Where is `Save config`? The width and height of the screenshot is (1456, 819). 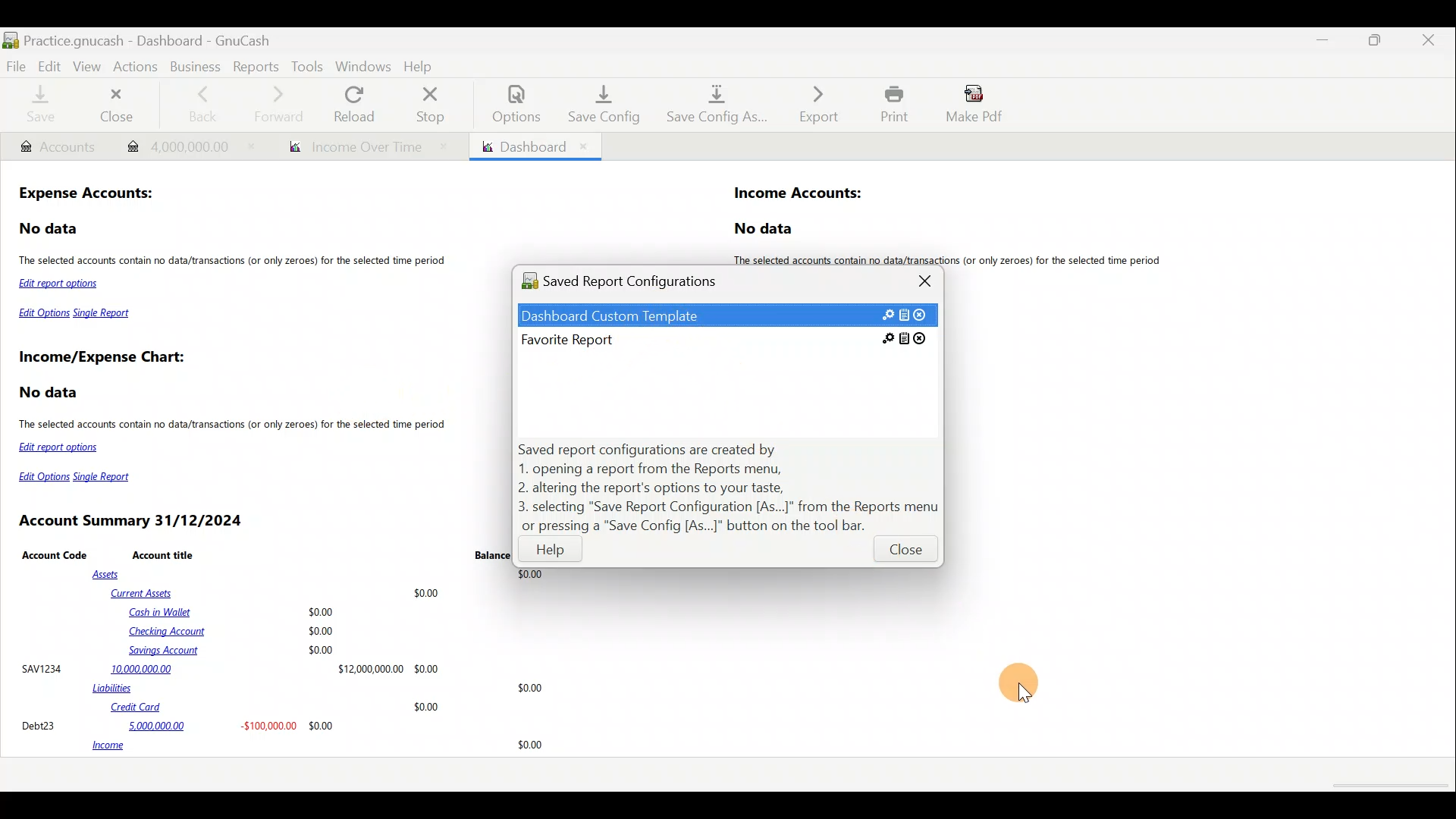 Save config is located at coordinates (598, 104).